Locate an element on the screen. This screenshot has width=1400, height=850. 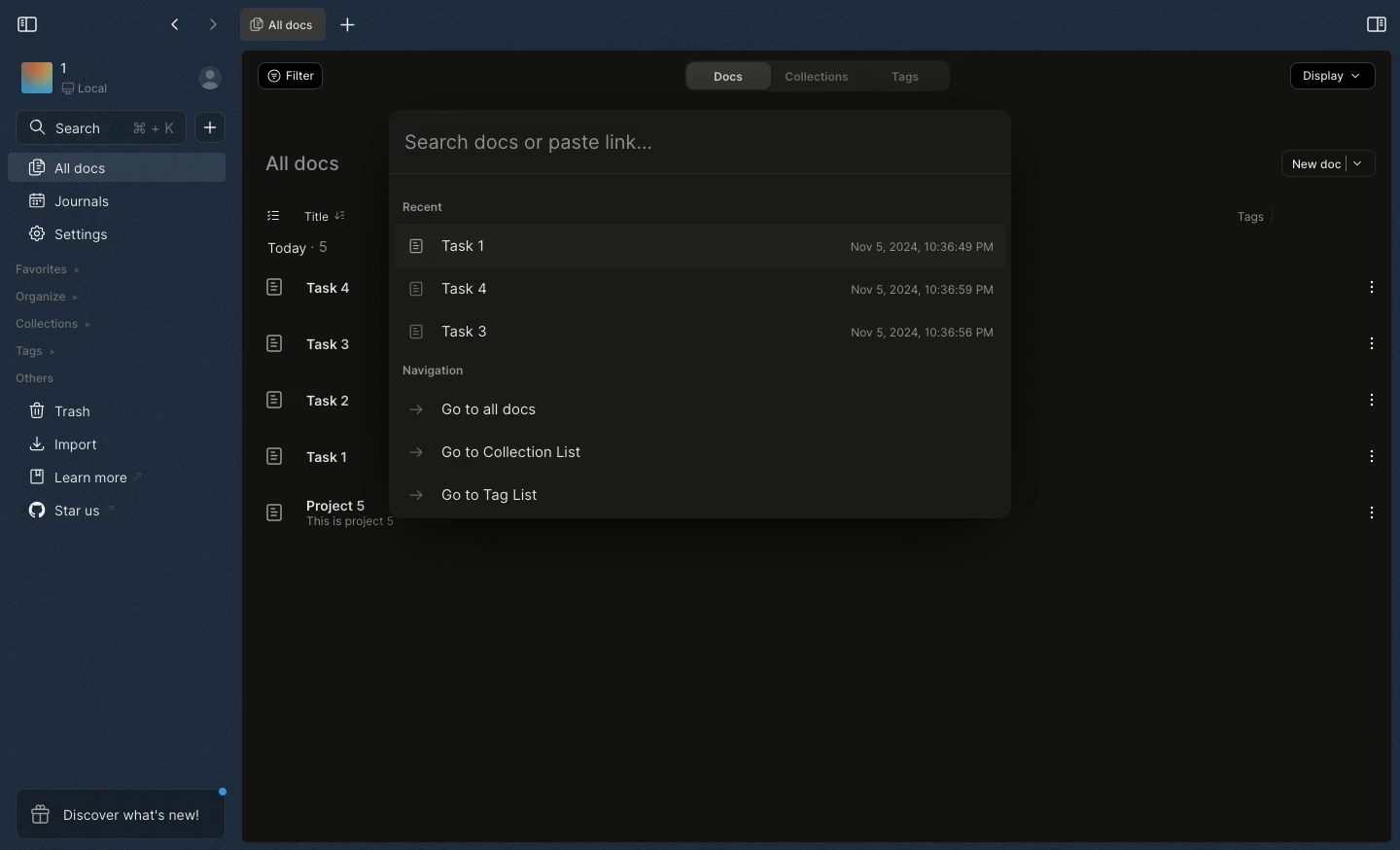
New tab is located at coordinates (347, 25).